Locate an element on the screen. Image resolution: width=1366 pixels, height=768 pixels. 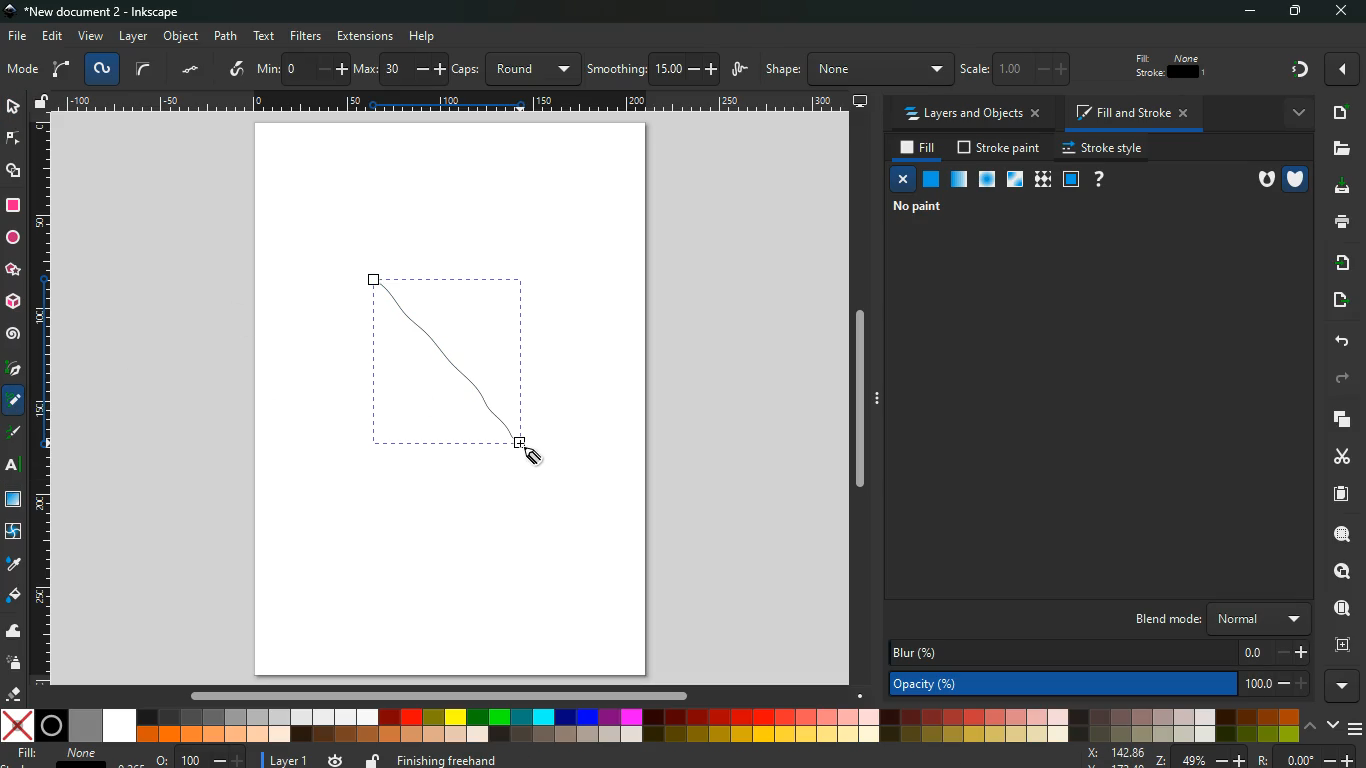
desktop is located at coordinates (859, 102).